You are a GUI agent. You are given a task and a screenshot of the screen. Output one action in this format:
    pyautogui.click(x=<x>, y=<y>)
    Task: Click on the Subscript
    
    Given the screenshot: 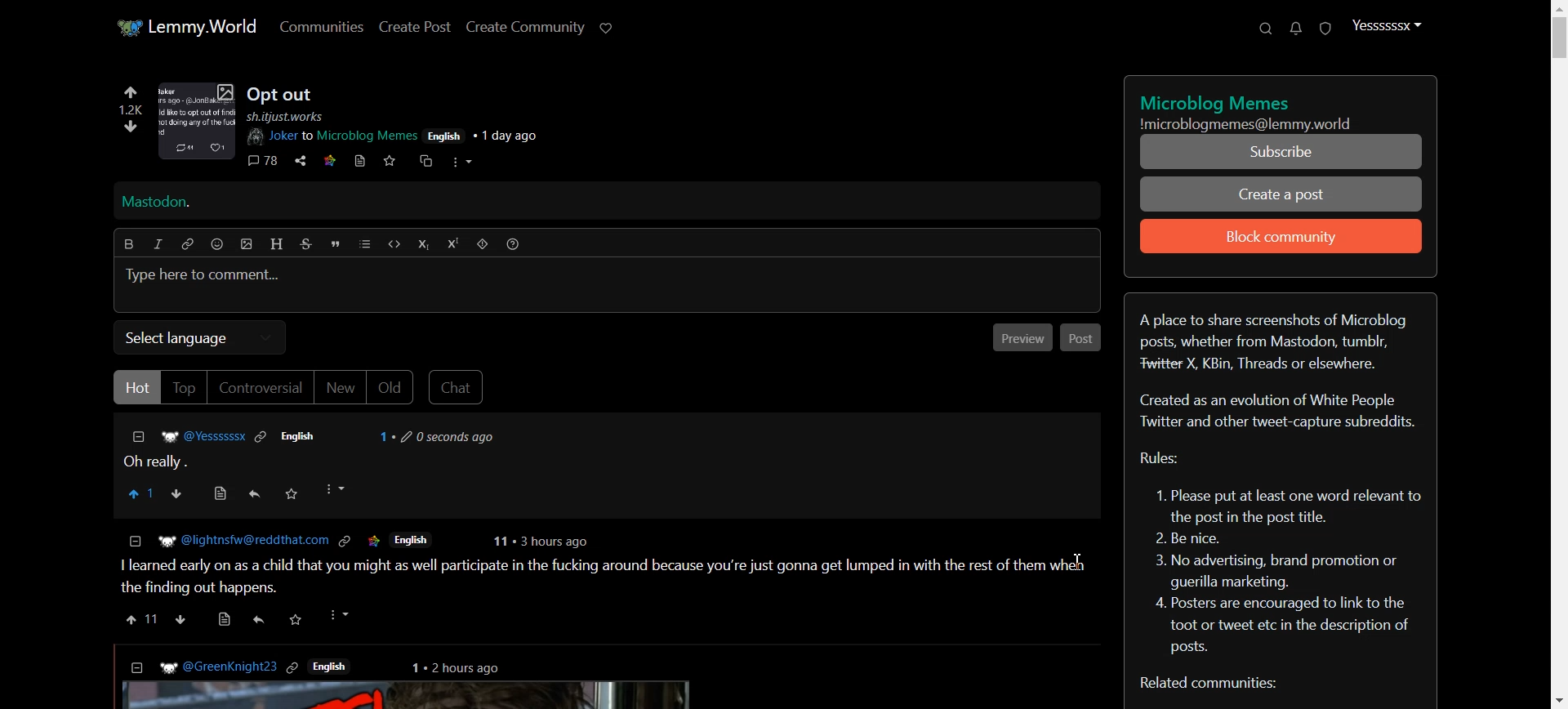 What is the action you would take?
    pyautogui.click(x=423, y=244)
    